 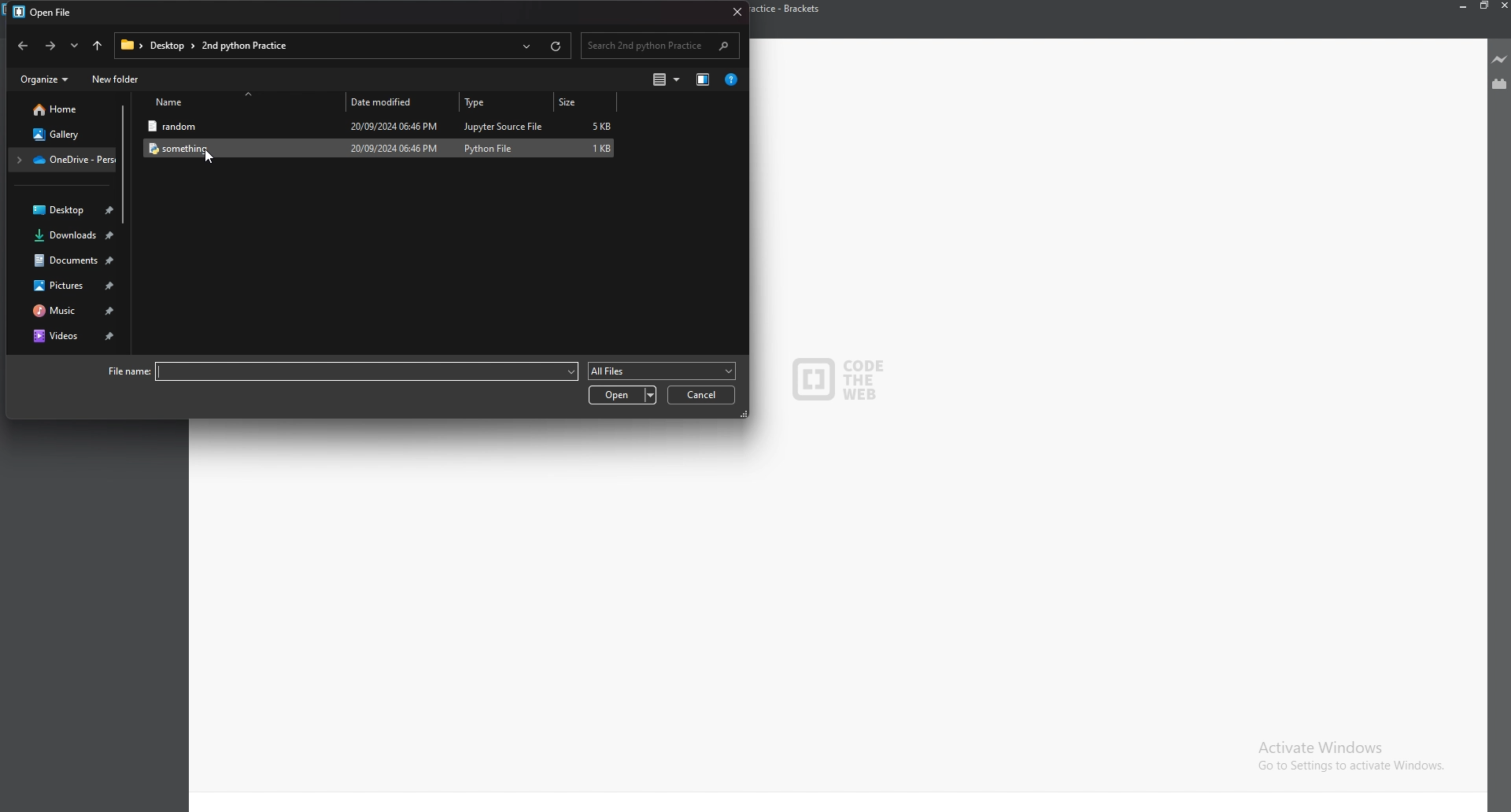 I want to click on upto desktop, so click(x=97, y=46).